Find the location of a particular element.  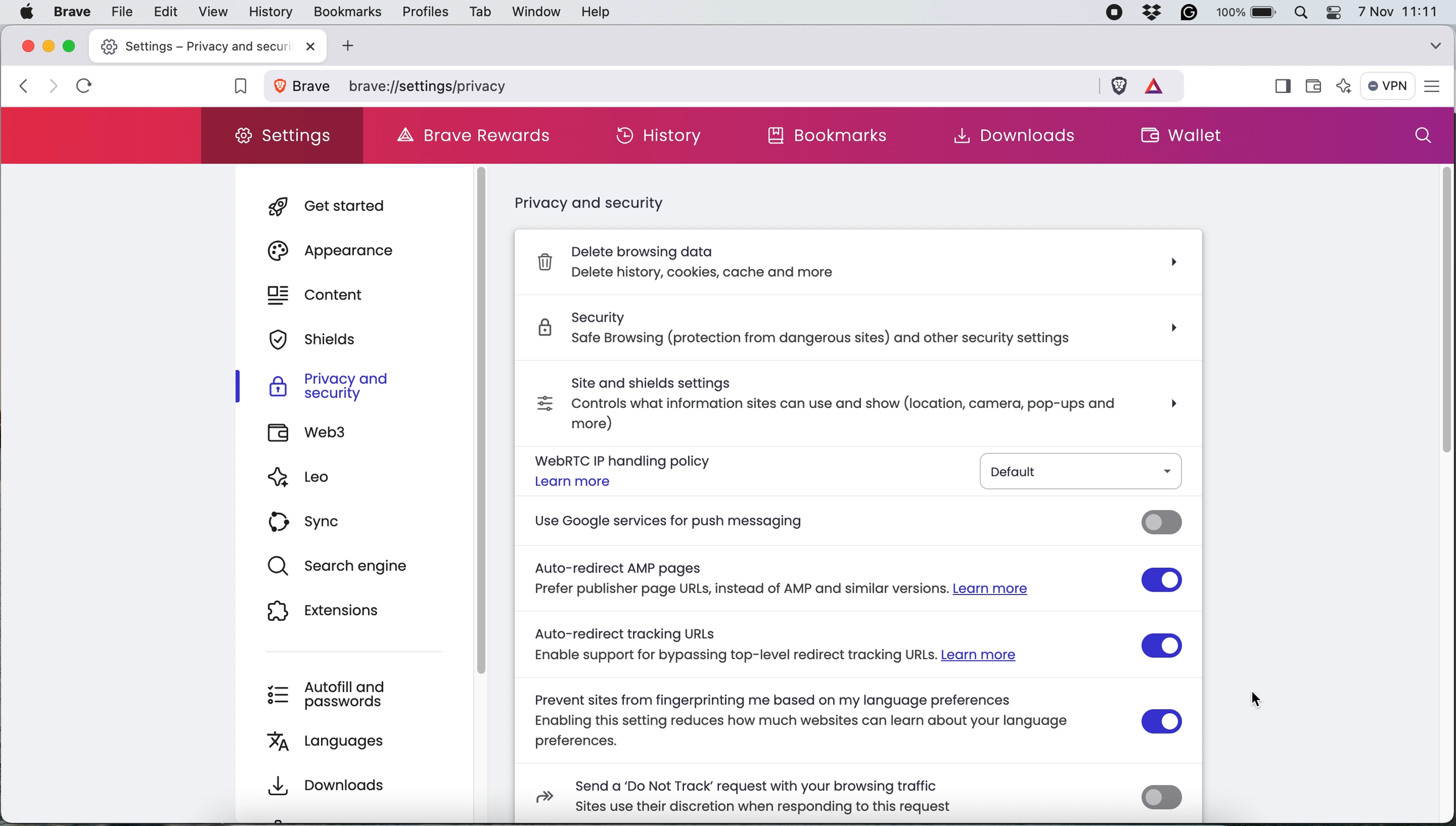

click to go forward, hold to see history is located at coordinates (49, 86).